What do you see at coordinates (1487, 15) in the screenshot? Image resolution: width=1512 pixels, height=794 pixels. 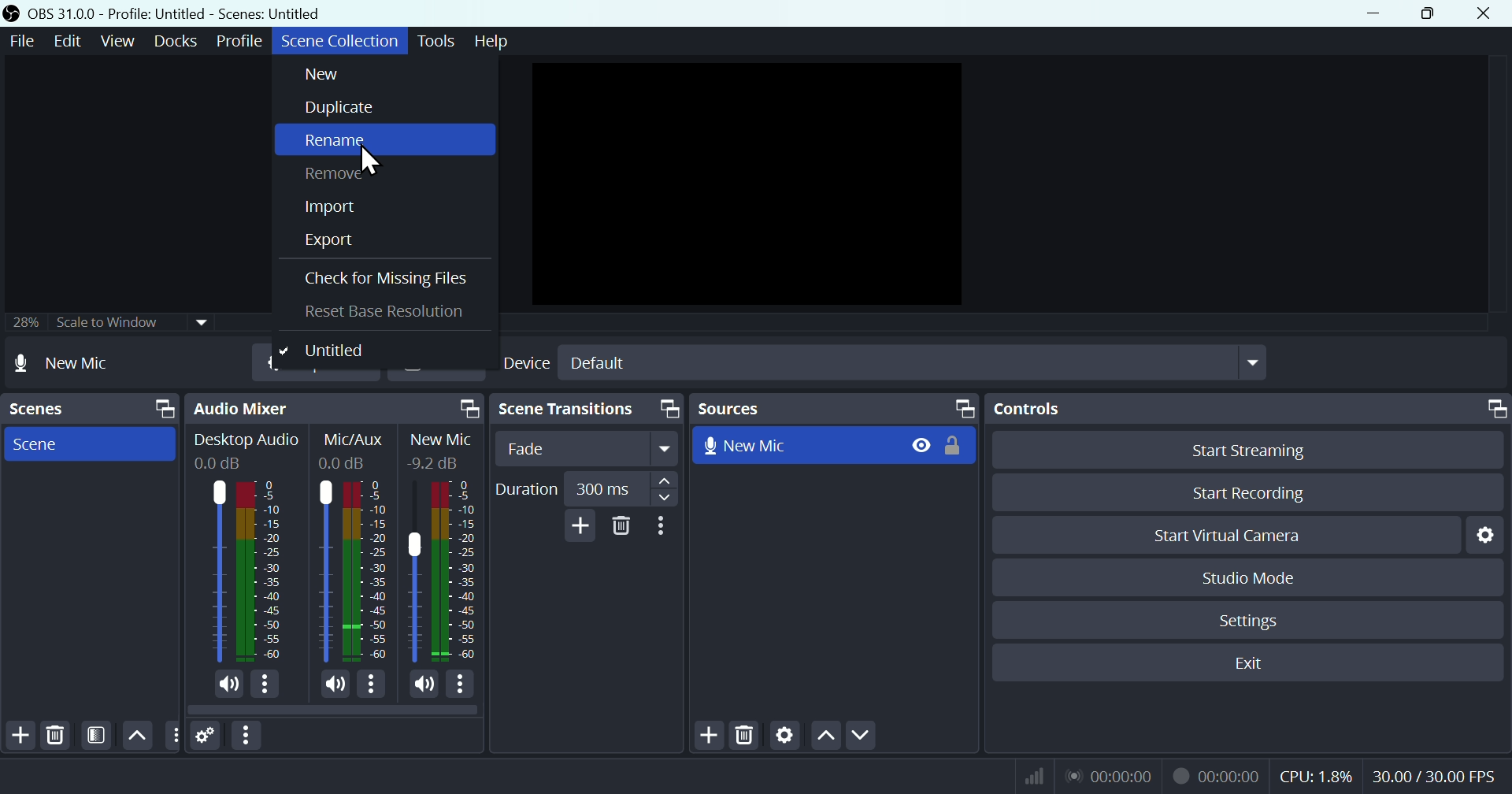 I see `Close` at bounding box center [1487, 15].